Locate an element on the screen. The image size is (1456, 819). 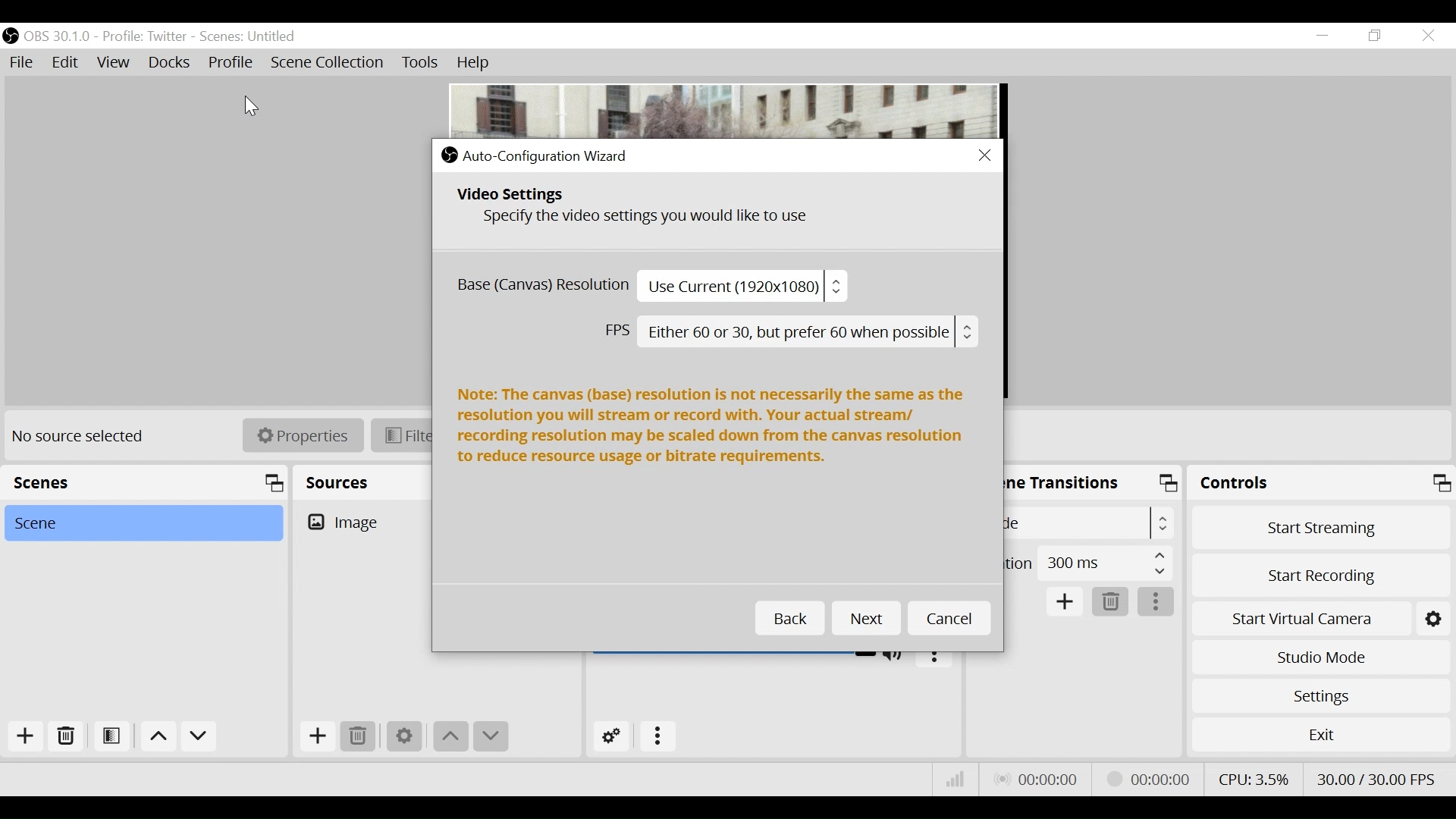
Select Scene Transition is located at coordinates (1090, 522).